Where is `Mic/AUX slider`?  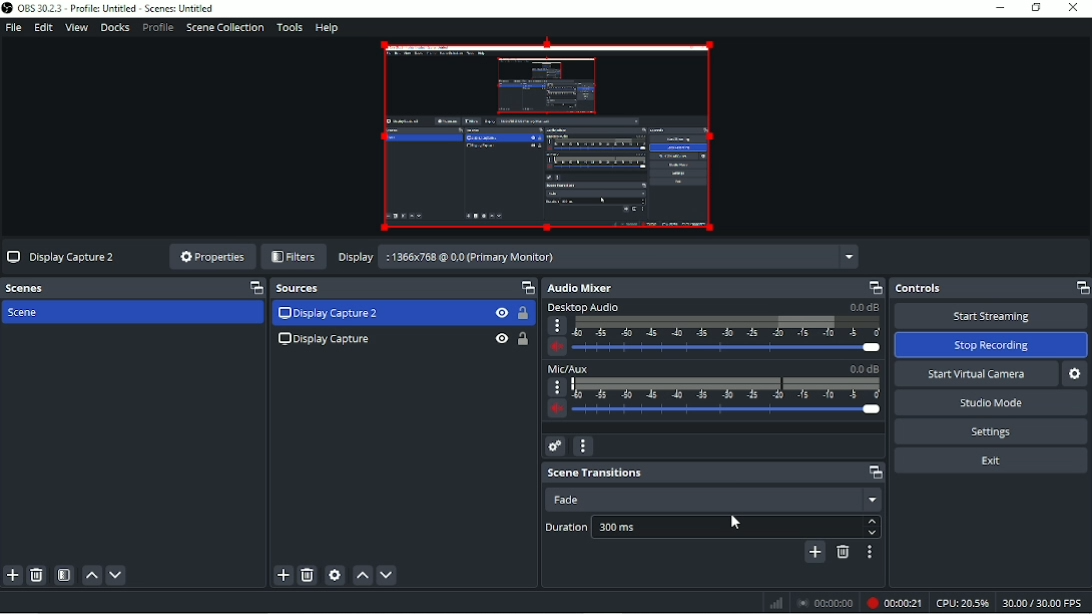 Mic/AUX slider is located at coordinates (714, 393).